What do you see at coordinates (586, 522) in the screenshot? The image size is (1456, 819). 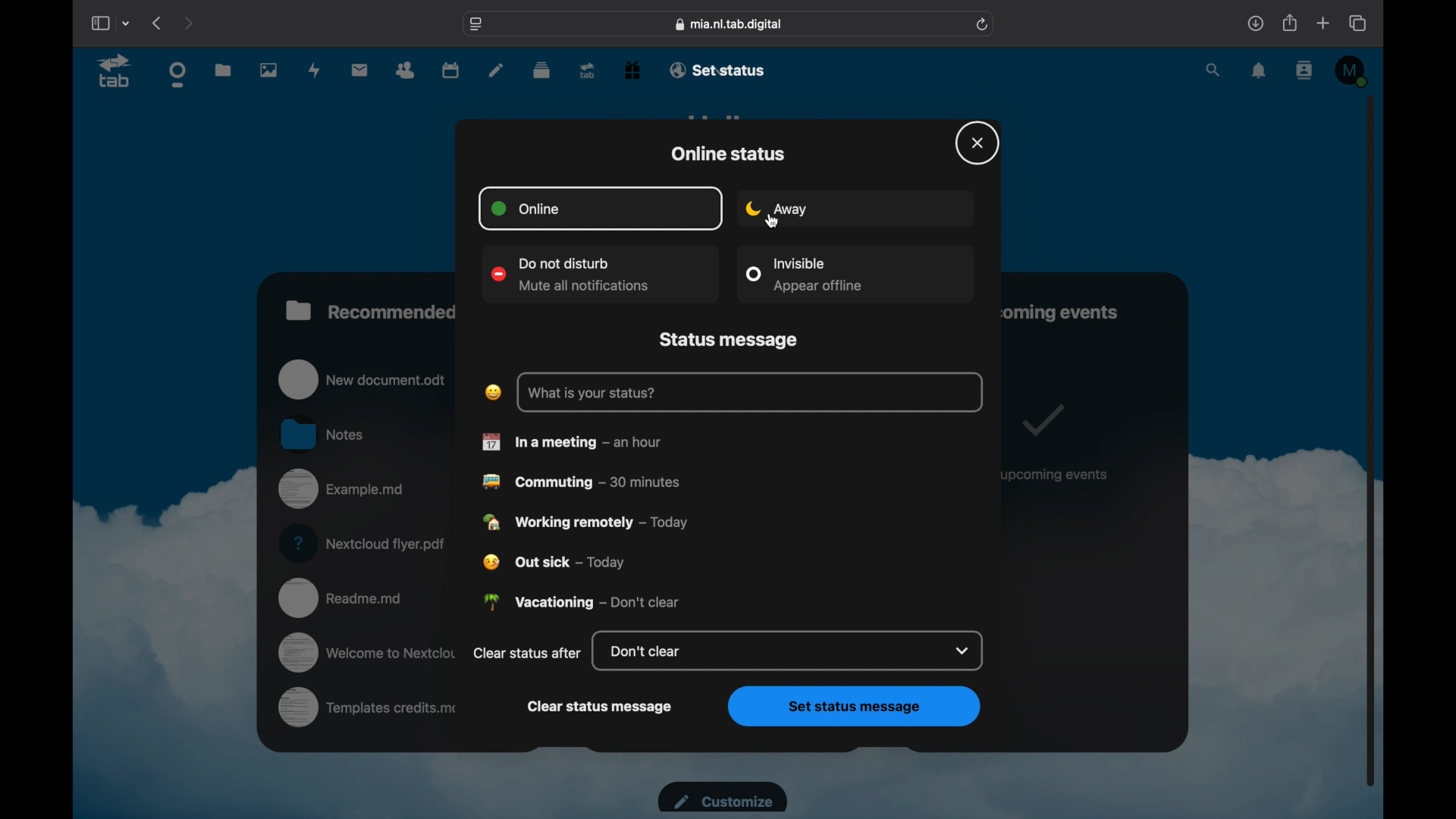 I see `working remotely` at bounding box center [586, 522].